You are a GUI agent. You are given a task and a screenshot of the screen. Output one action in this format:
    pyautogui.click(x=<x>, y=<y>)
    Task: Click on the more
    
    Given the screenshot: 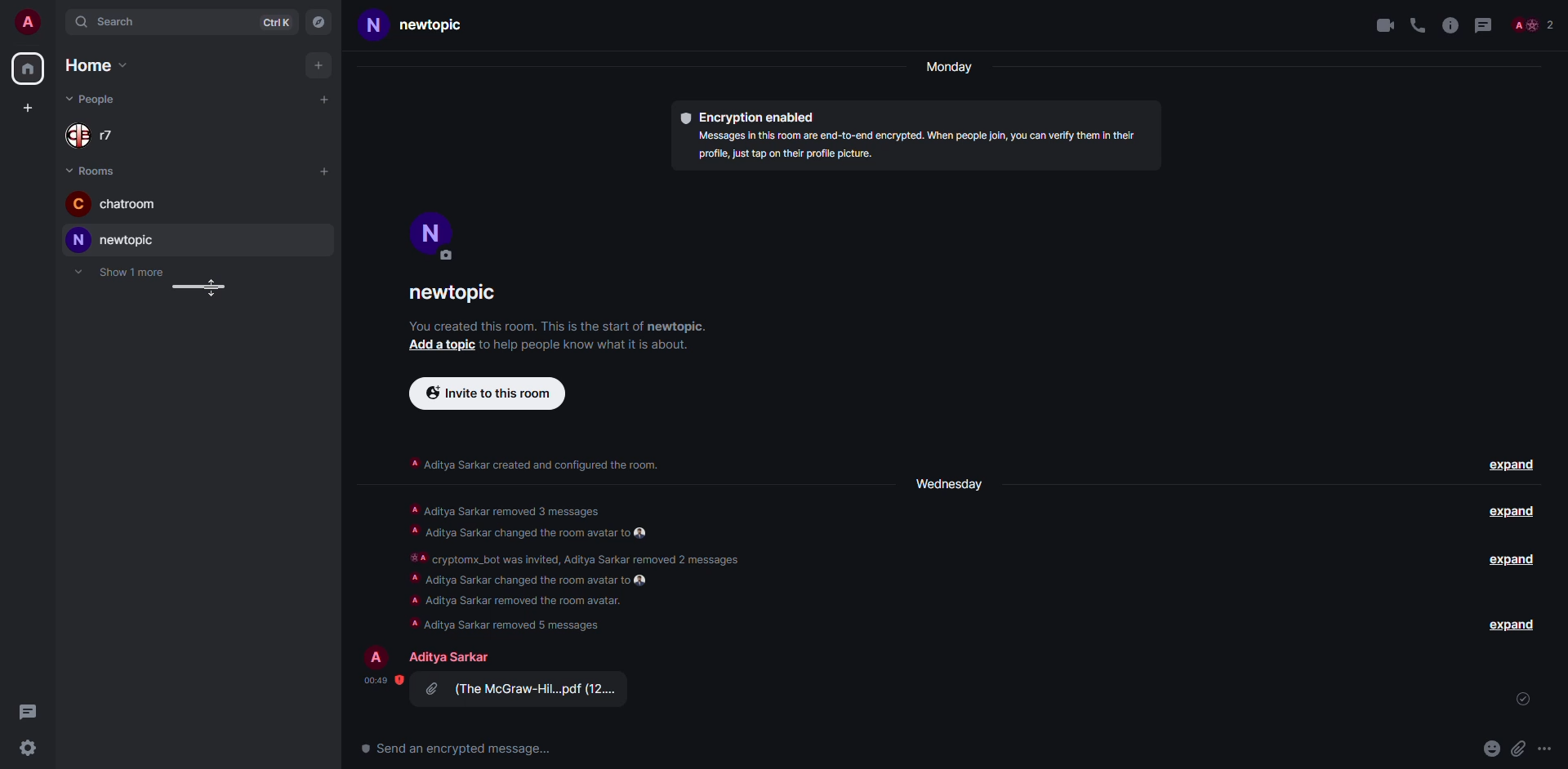 What is the action you would take?
    pyautogui.click(x=1550, y=752)
    